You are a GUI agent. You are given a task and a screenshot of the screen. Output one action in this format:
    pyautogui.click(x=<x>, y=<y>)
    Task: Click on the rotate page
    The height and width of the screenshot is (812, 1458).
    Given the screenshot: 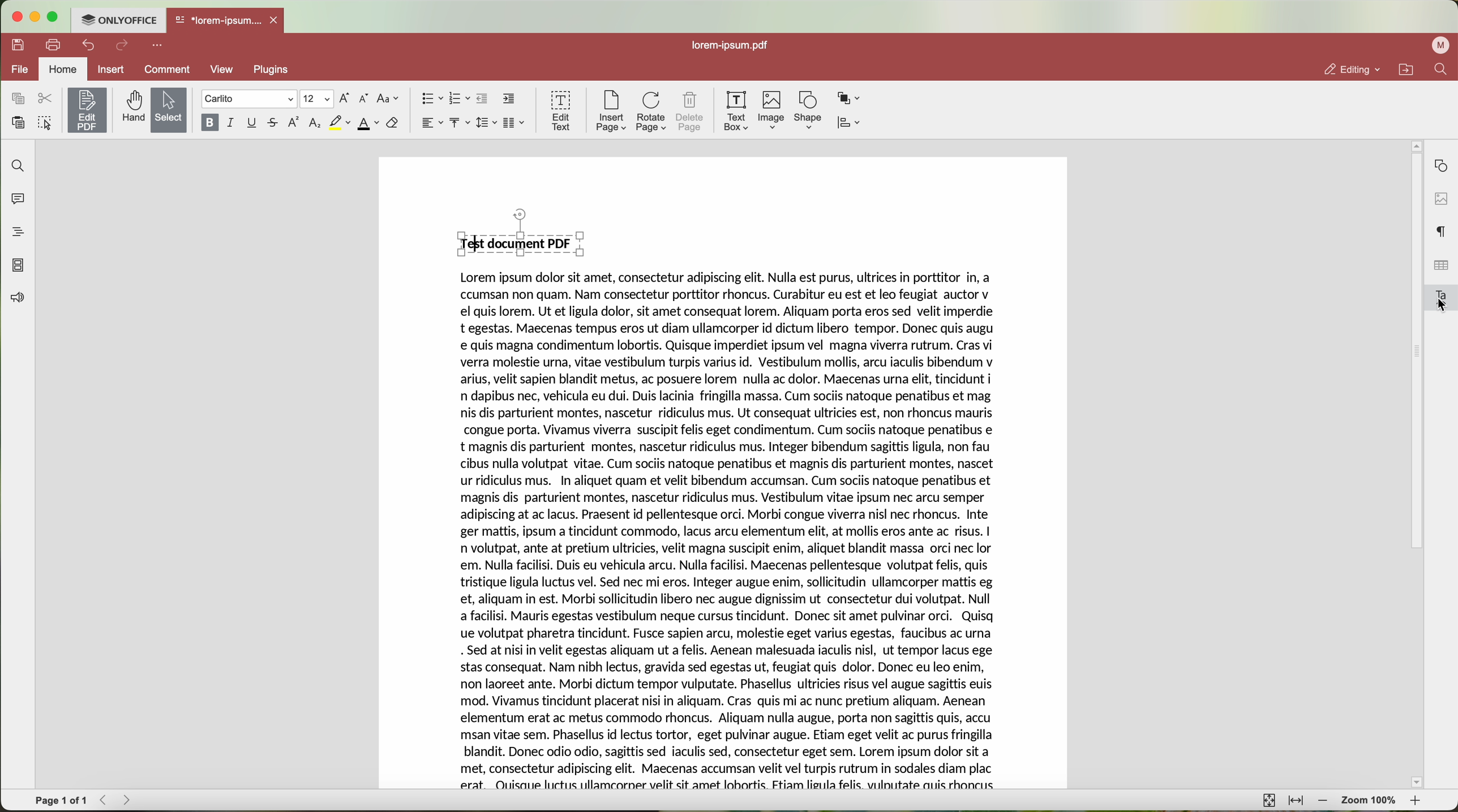 What is the action you would take?
    pyautogui.click(x=652, y=111)
    